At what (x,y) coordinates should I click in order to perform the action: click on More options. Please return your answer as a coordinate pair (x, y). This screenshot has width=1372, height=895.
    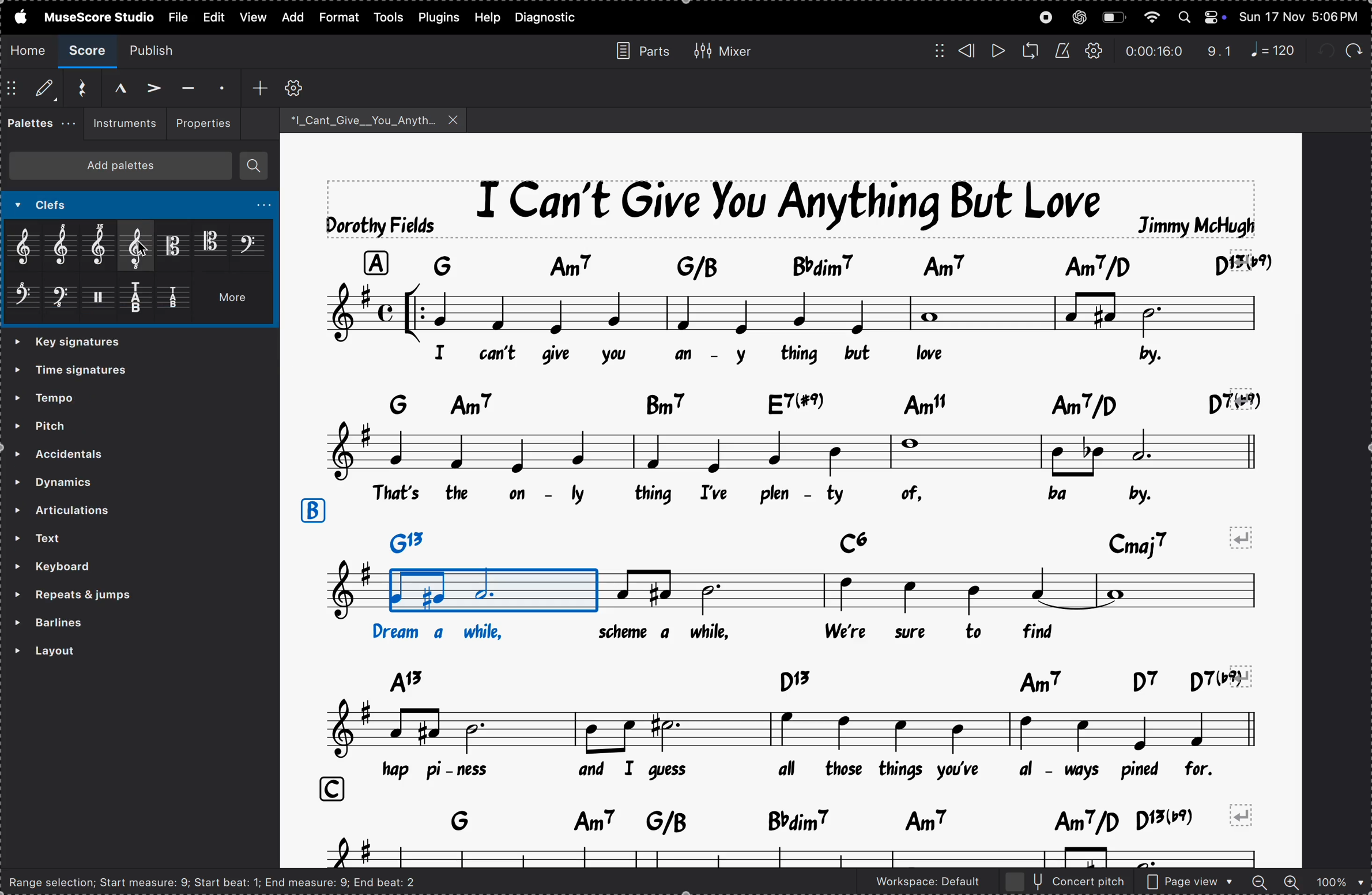
    Looking at the image, I should click on (255, 208).